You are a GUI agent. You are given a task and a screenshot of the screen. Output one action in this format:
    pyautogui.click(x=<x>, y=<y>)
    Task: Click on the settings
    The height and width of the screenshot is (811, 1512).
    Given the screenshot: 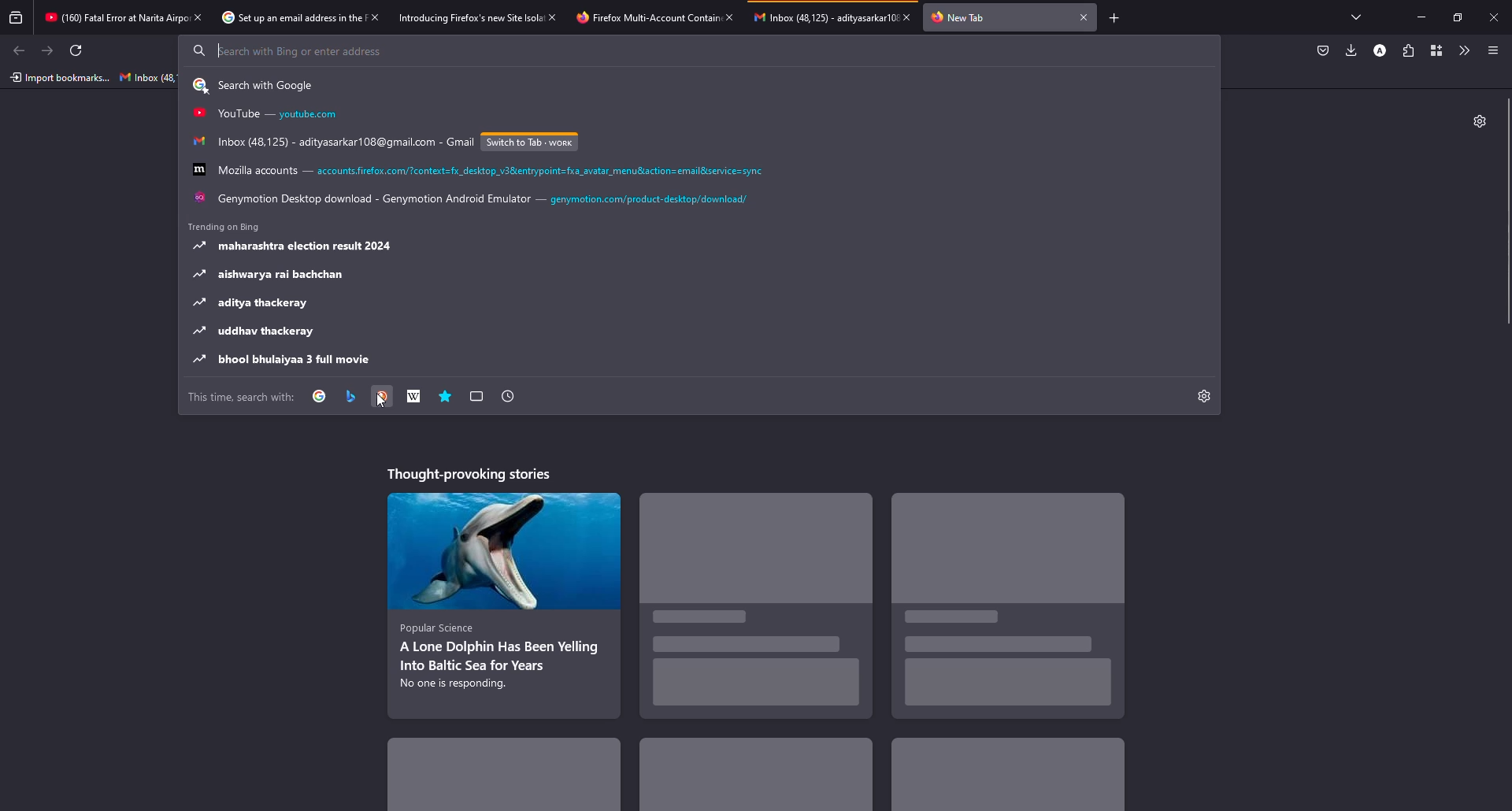 What is the action you would take?
    pyautogui.click(x=1203, y=395)
    